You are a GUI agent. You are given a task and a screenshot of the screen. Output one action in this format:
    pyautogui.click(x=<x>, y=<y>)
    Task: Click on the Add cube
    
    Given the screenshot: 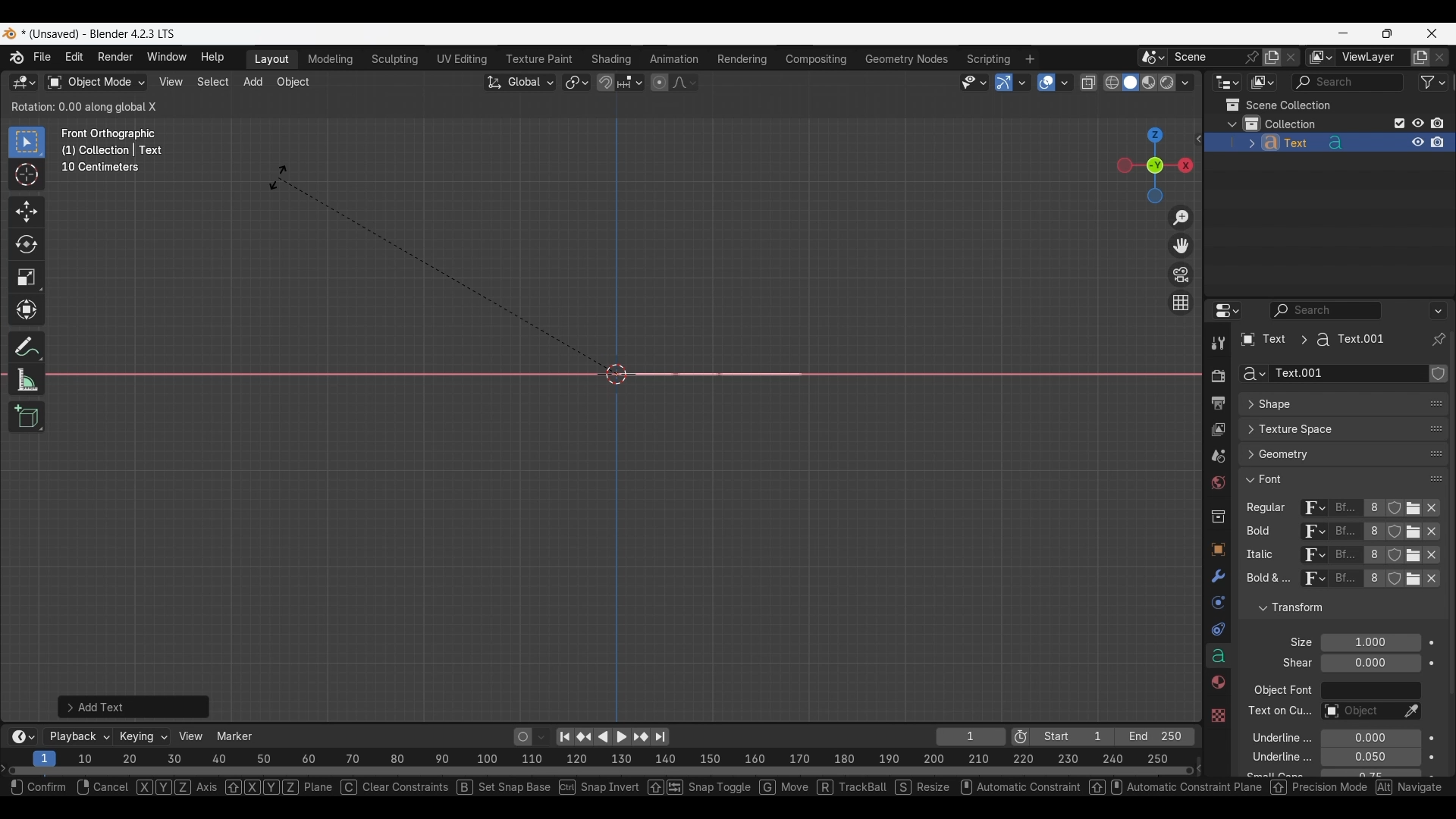 What is the action you would take?
    pyautogui.click(x=27, y=417)
    